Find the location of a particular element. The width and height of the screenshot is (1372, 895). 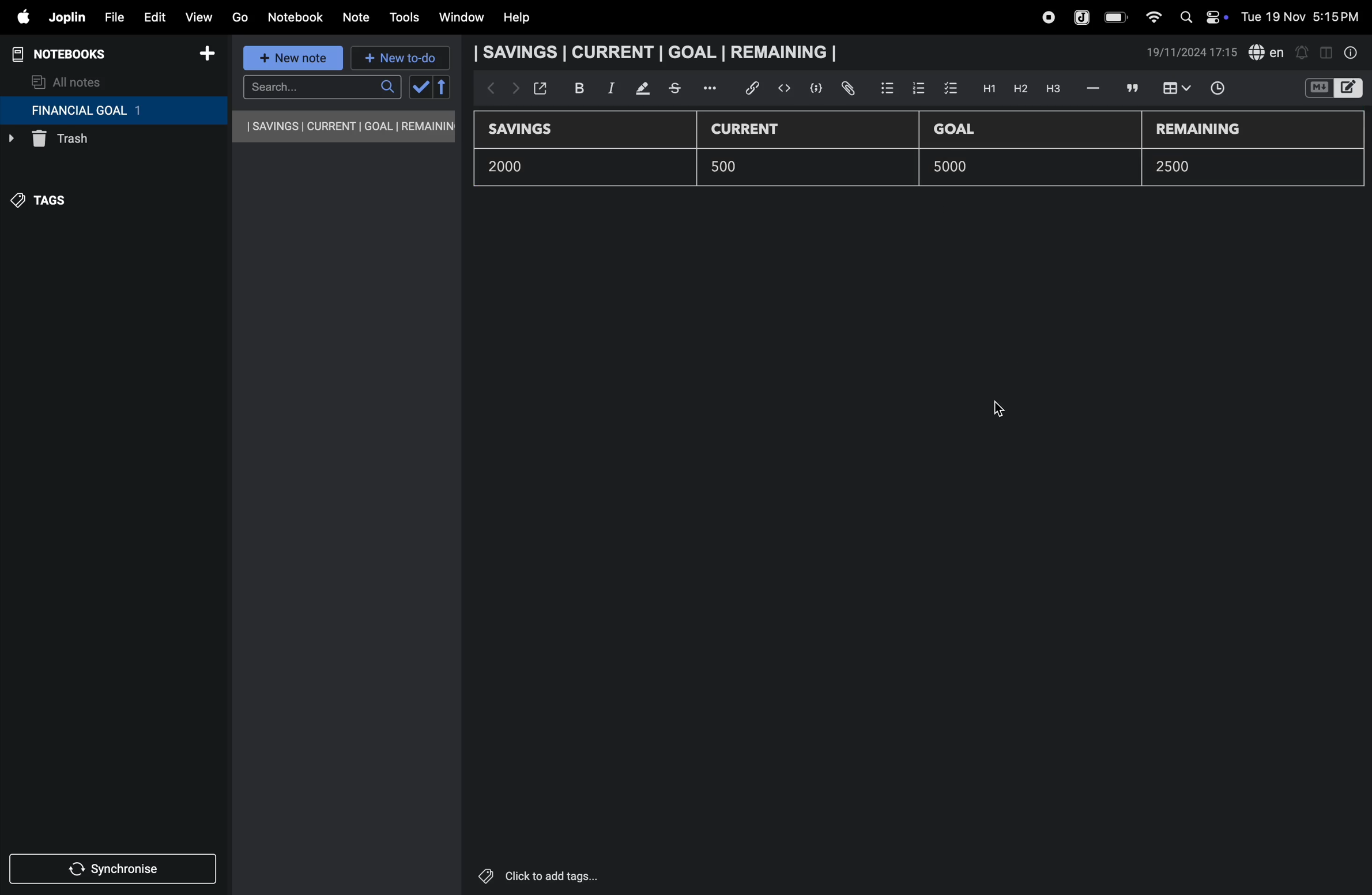

backward is located at coordinates (487, 89).